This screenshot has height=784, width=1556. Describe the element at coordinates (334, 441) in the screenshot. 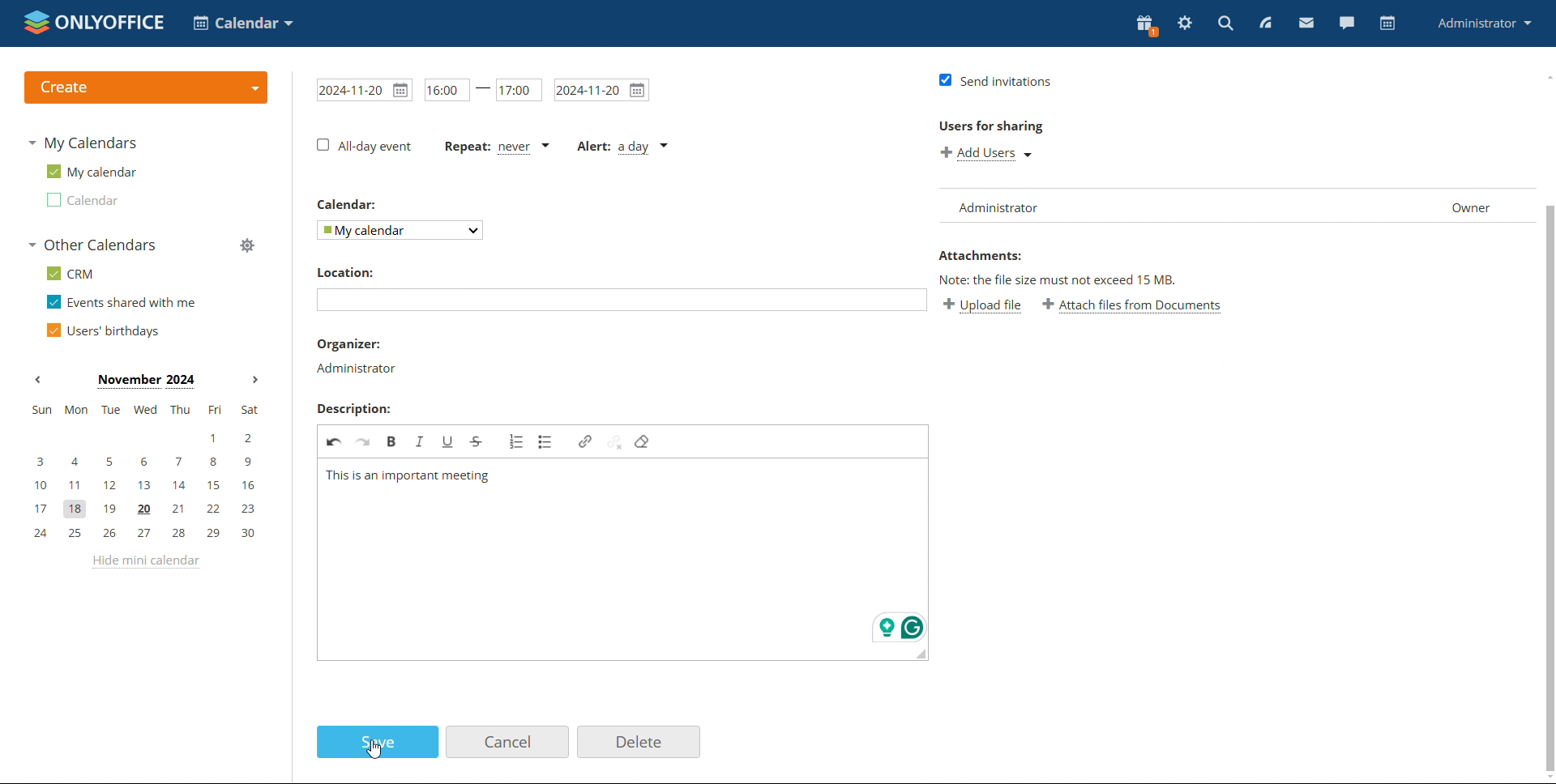

I see `undo` at that location.